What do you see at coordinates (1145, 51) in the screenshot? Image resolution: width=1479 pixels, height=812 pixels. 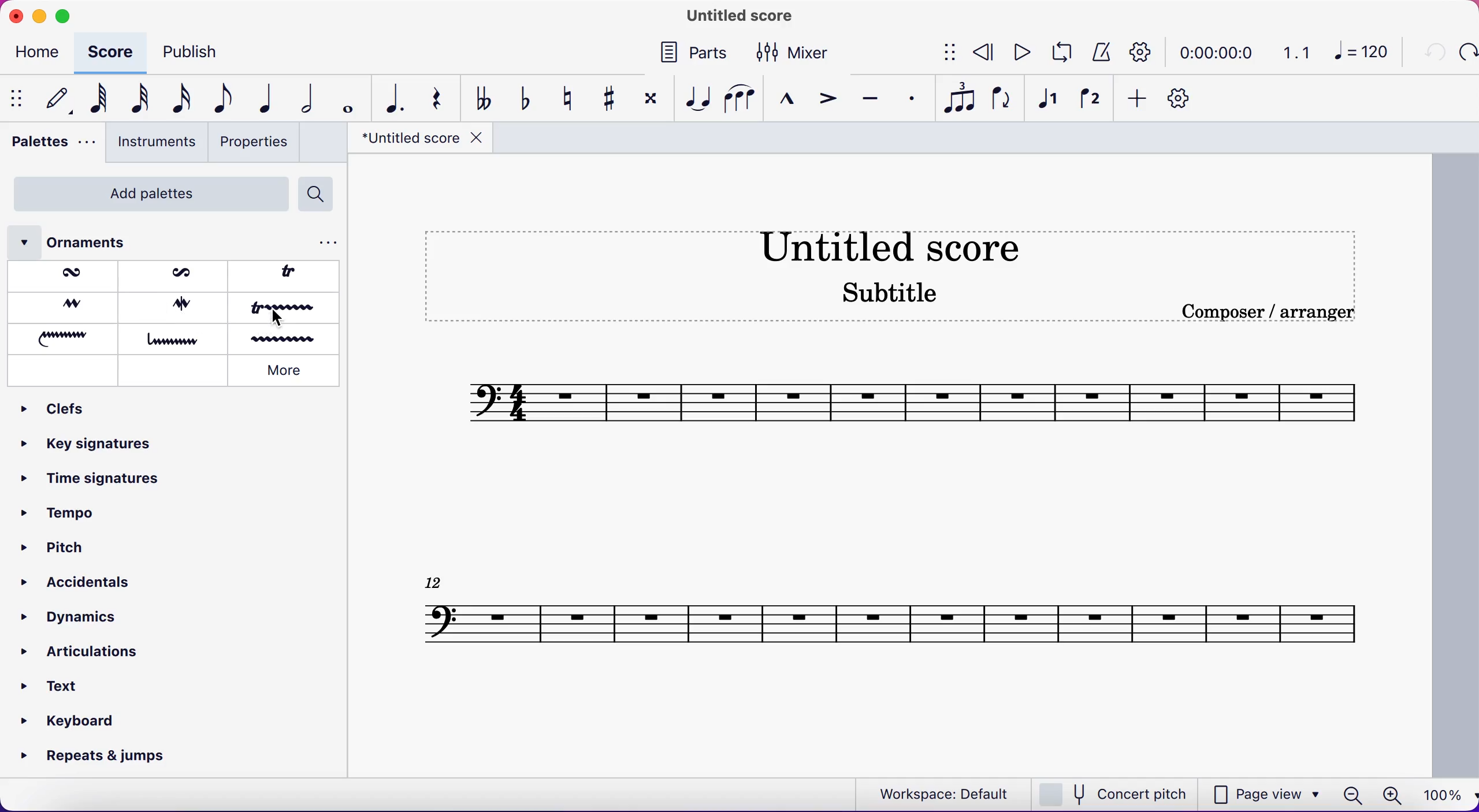 I see `playback settings` at bounding box center [1145, 51].